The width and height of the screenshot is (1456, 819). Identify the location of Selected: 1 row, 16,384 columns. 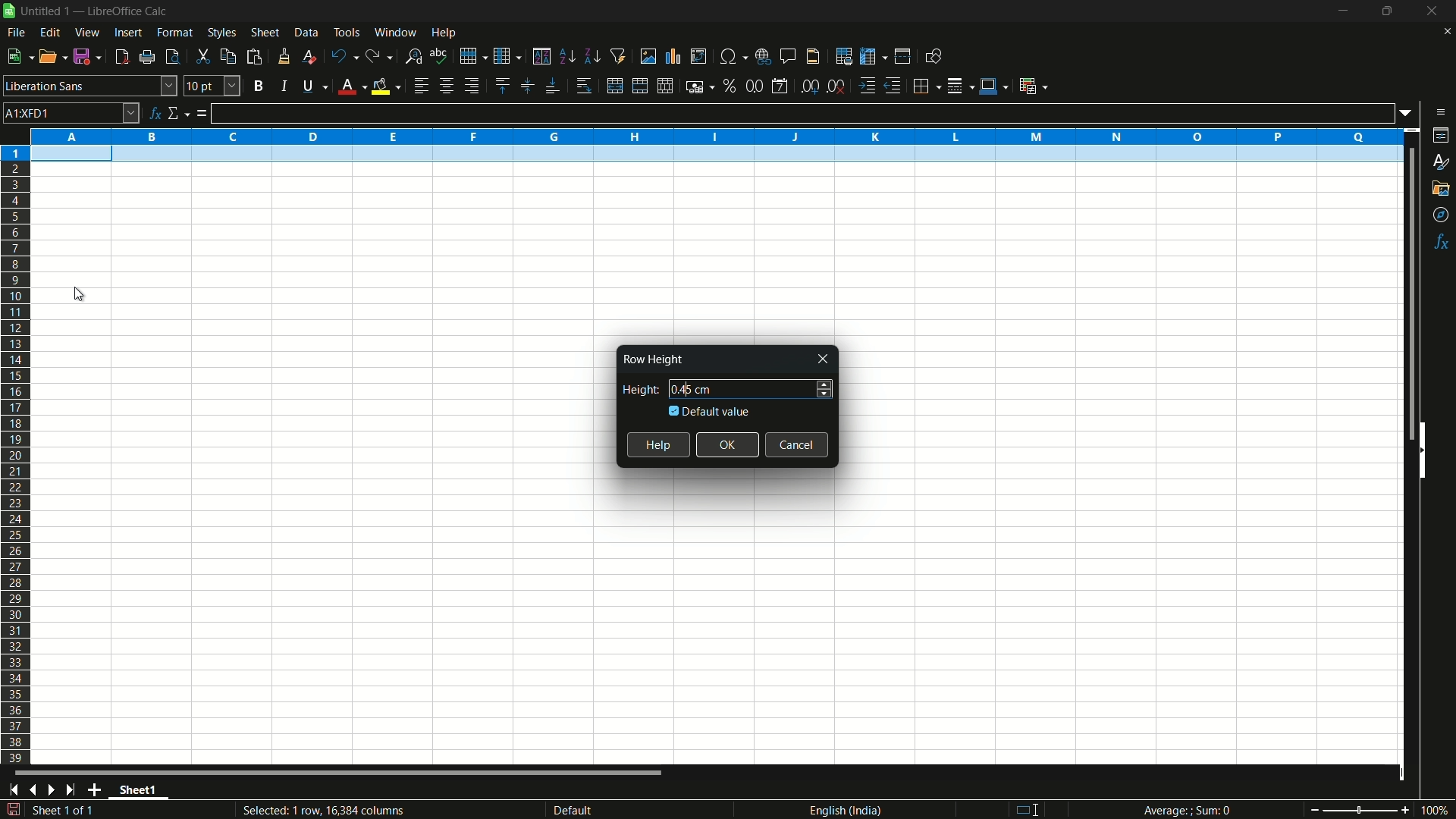
(320, 809).